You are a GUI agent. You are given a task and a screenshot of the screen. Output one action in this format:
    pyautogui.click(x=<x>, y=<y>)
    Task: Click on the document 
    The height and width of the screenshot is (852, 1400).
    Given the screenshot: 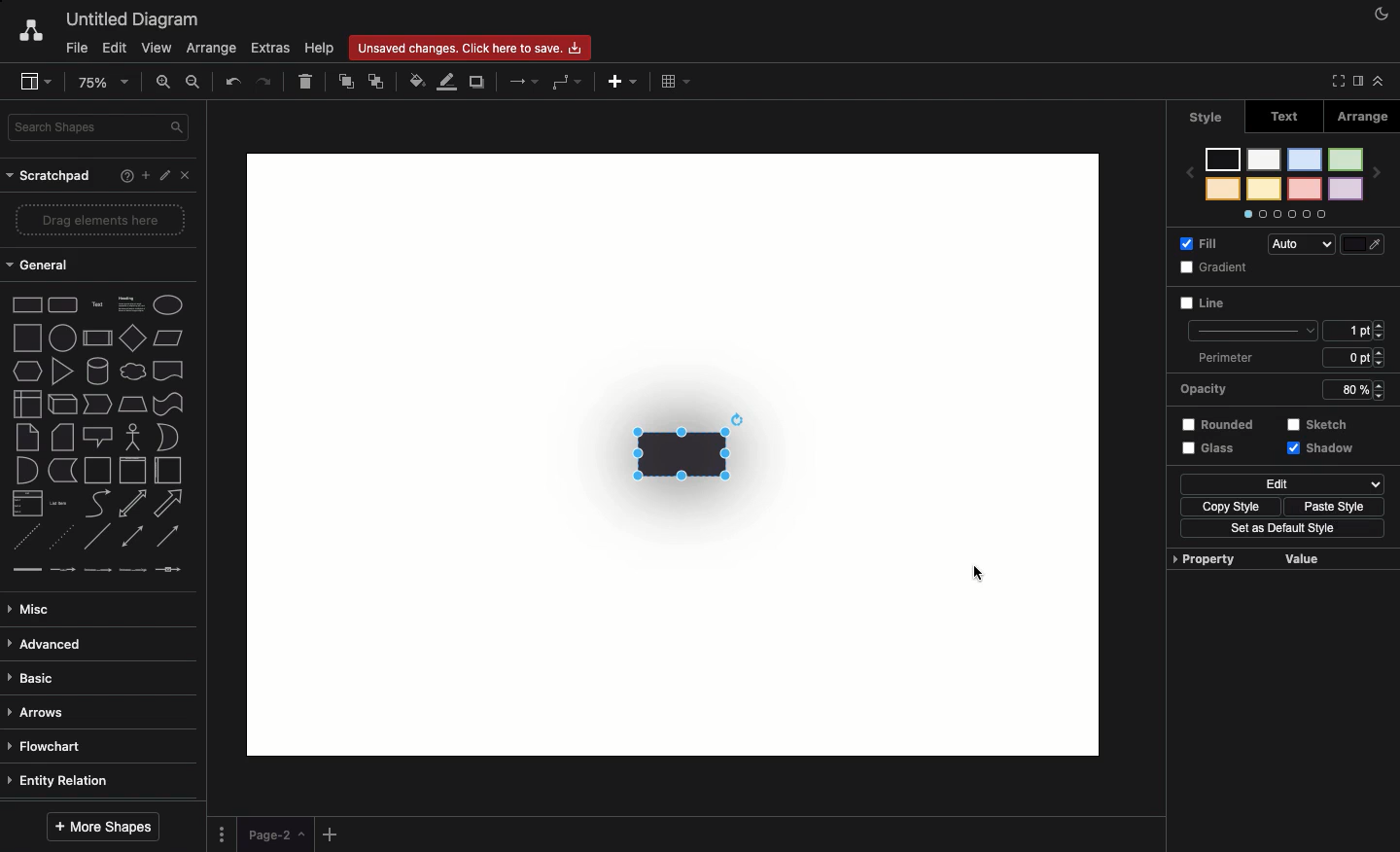 What is the action you would take?
    pyautogui.click(x=168, y=371)
    